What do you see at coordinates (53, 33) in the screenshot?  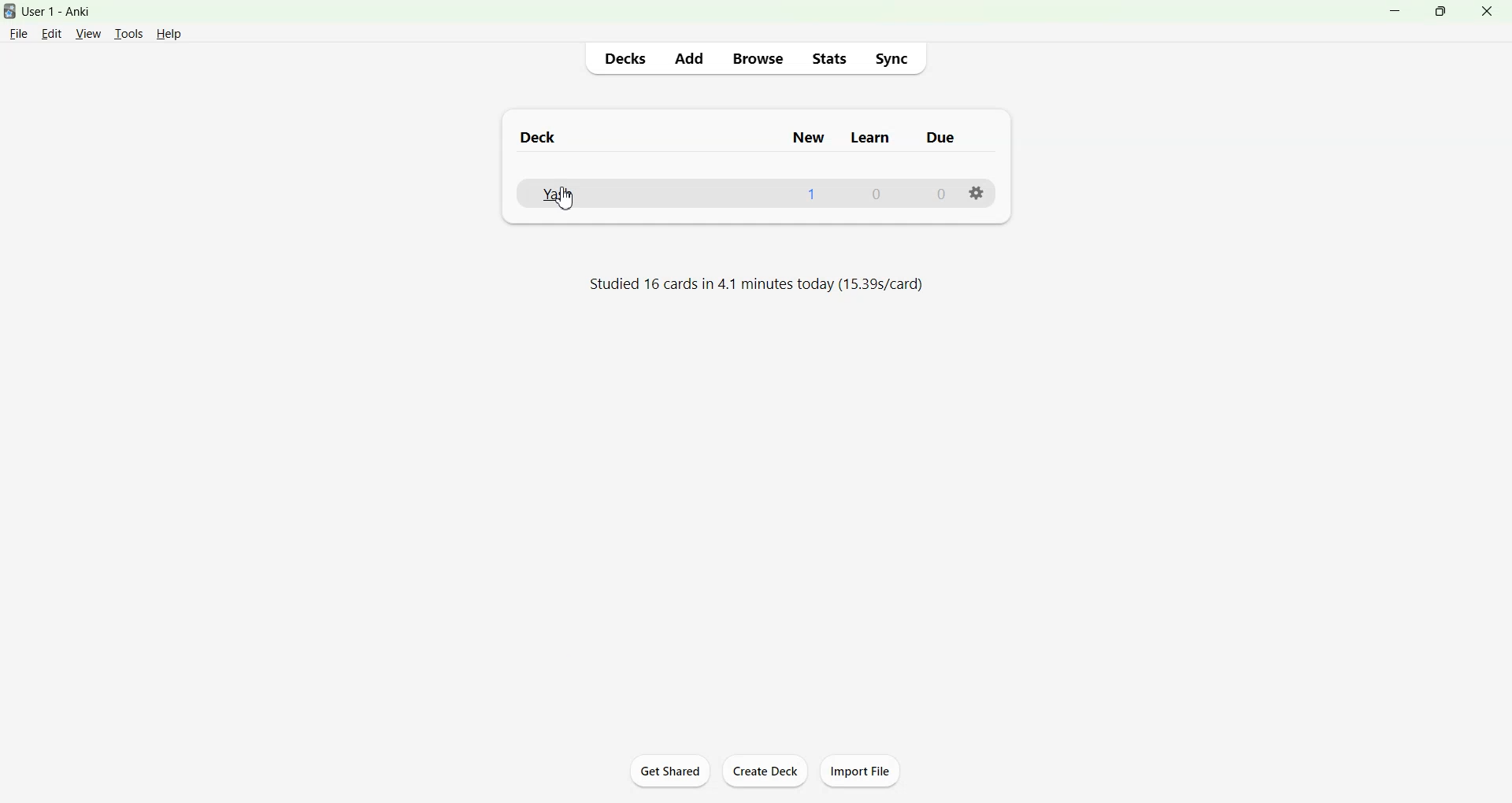 I see `Edit` at bounding box center [53, 33].